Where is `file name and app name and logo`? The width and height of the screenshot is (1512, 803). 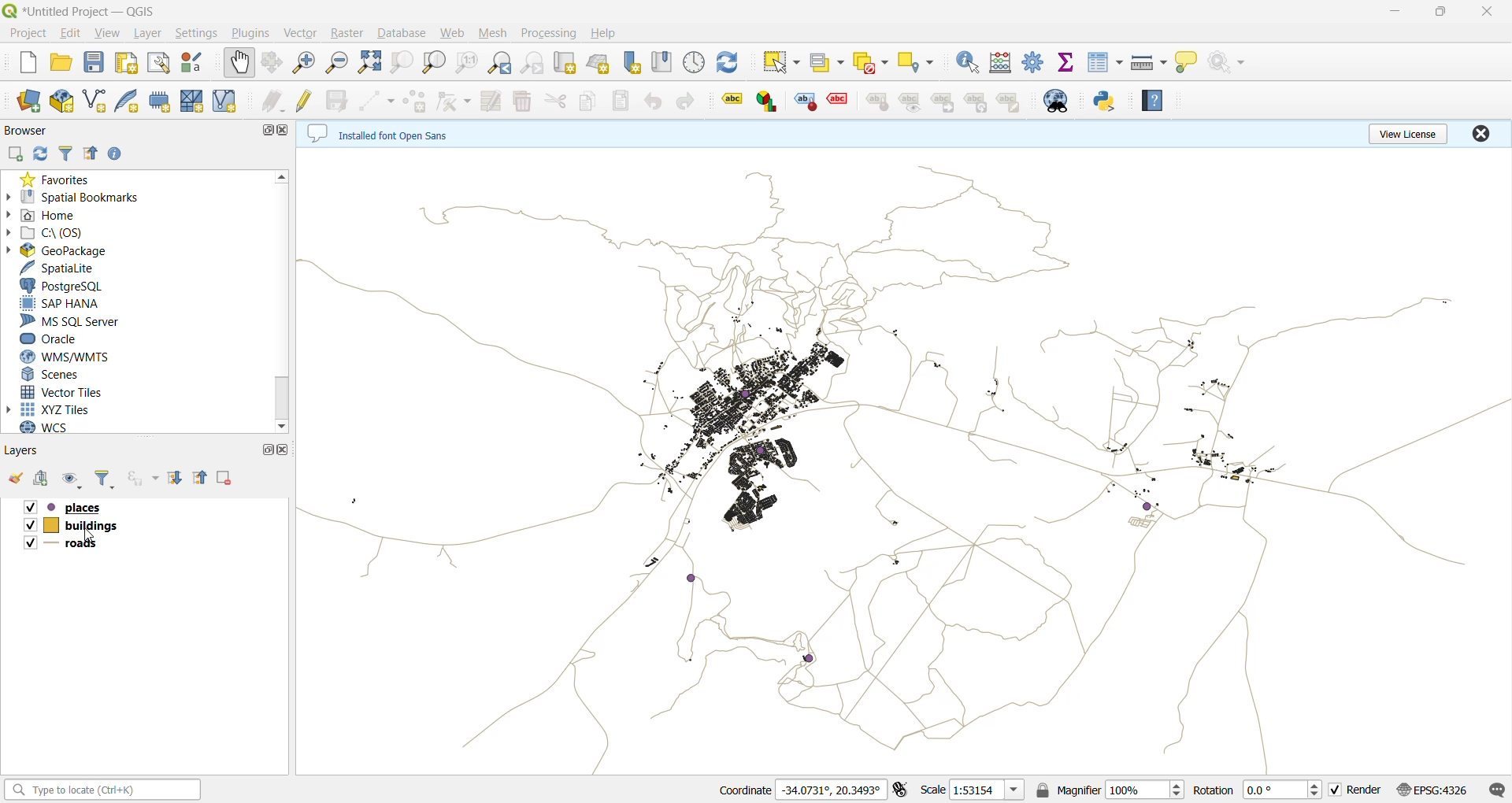
file name and app name and logo is located at coordinates (91, 11).